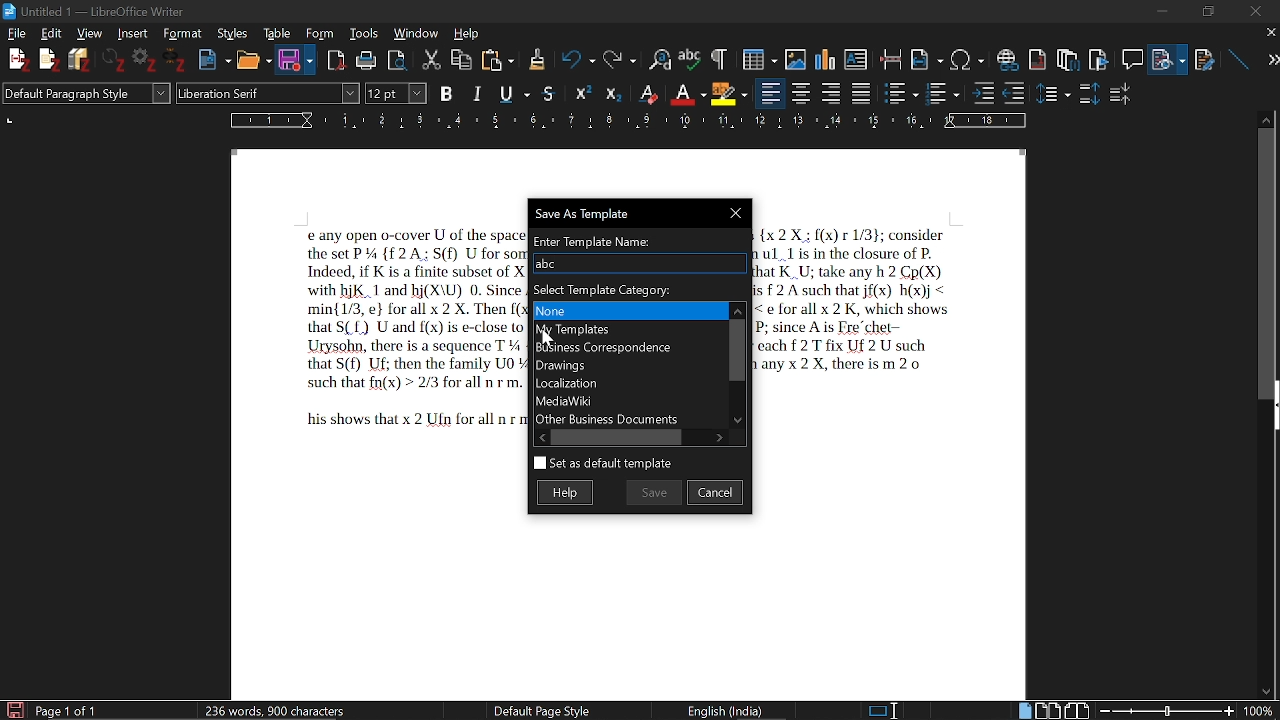 This screenshot has width=1280, height=720. What do you see at coordinates (620, 437) in the screenshot?
I see `Horizontal scrollbar` at bounding box center [620, 437].